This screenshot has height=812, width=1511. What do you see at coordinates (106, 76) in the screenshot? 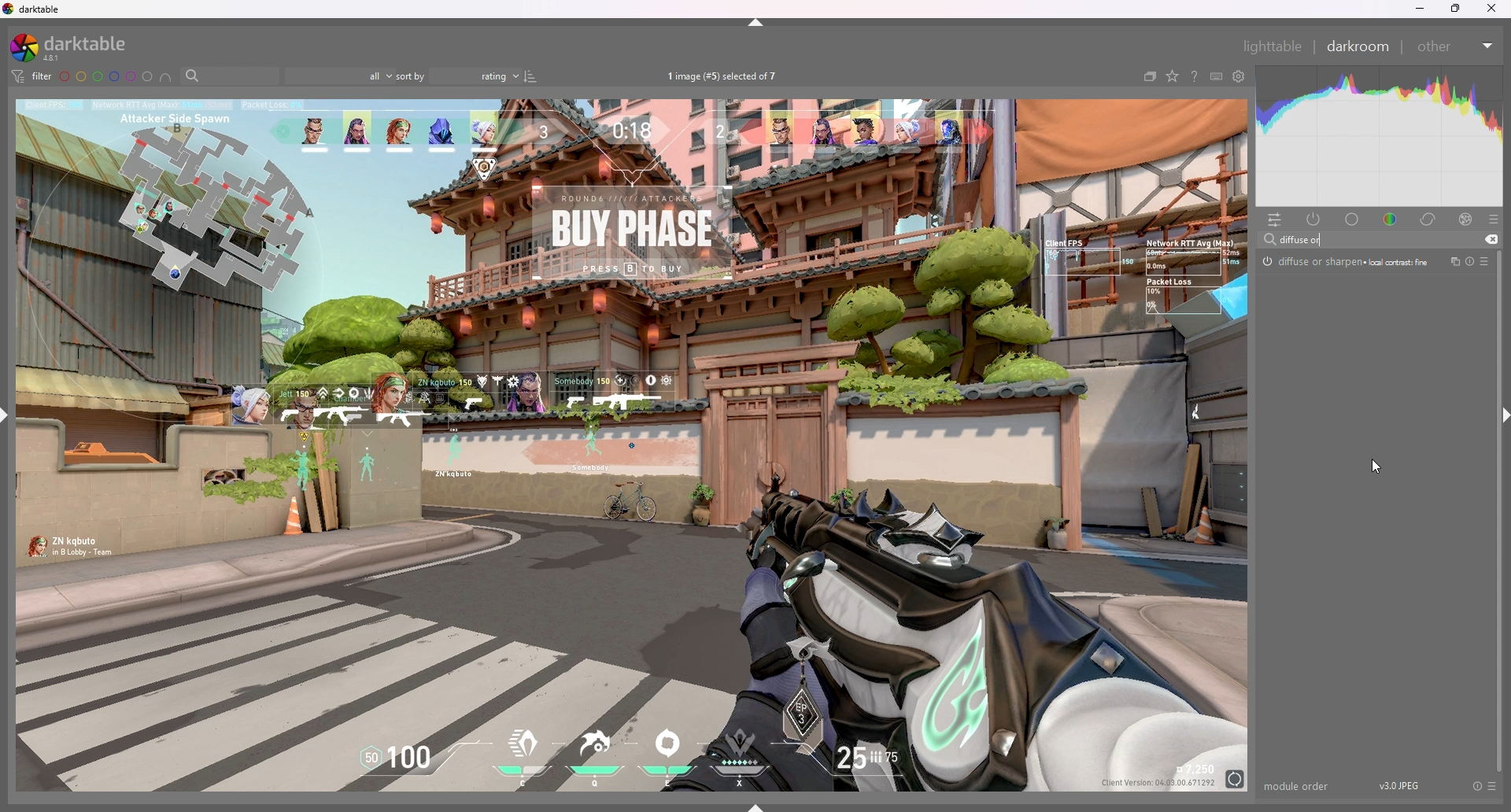
I see `color label` at bounding box center [106, 76].